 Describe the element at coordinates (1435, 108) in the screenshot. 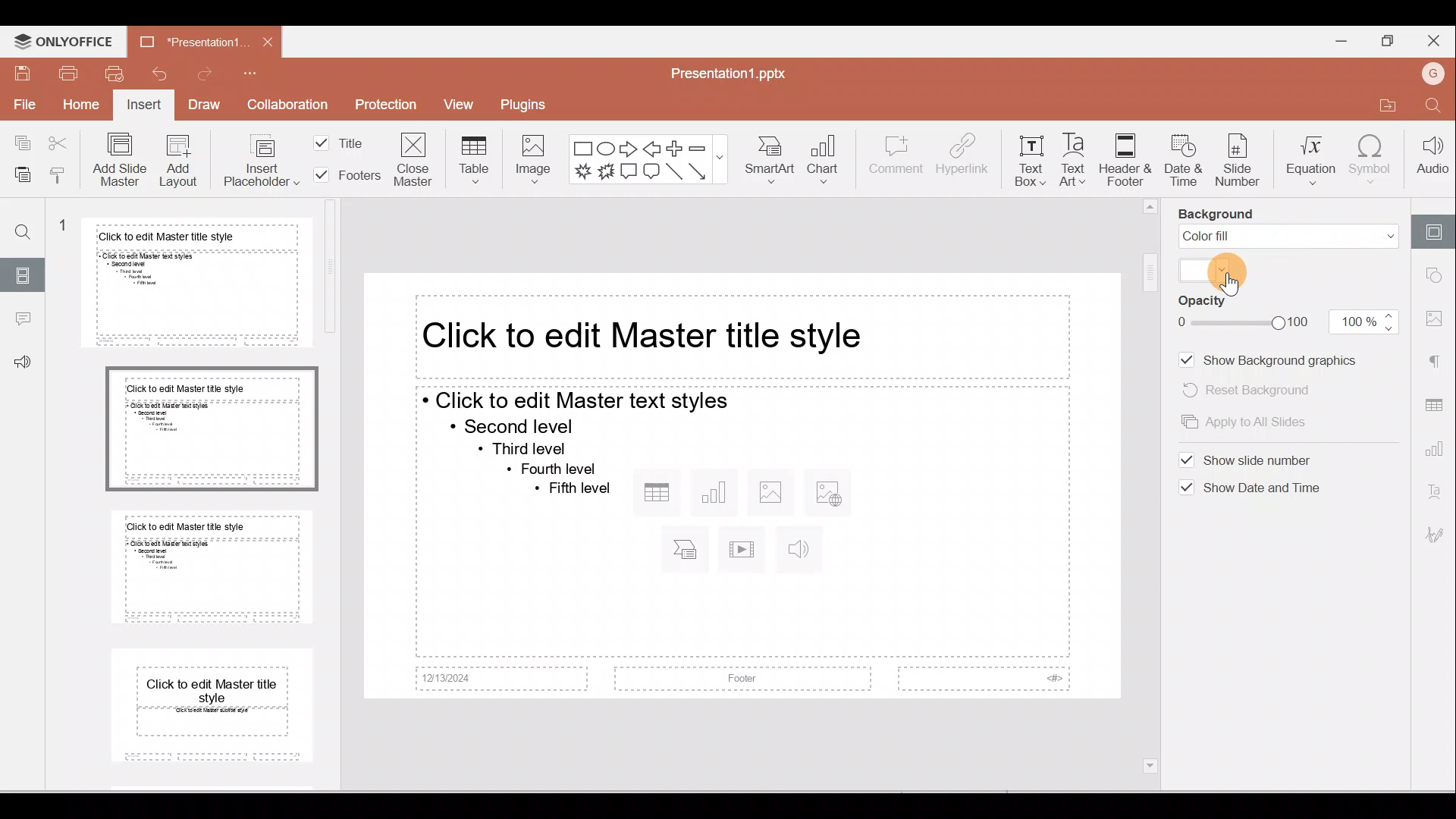

I see `Find` at that location.